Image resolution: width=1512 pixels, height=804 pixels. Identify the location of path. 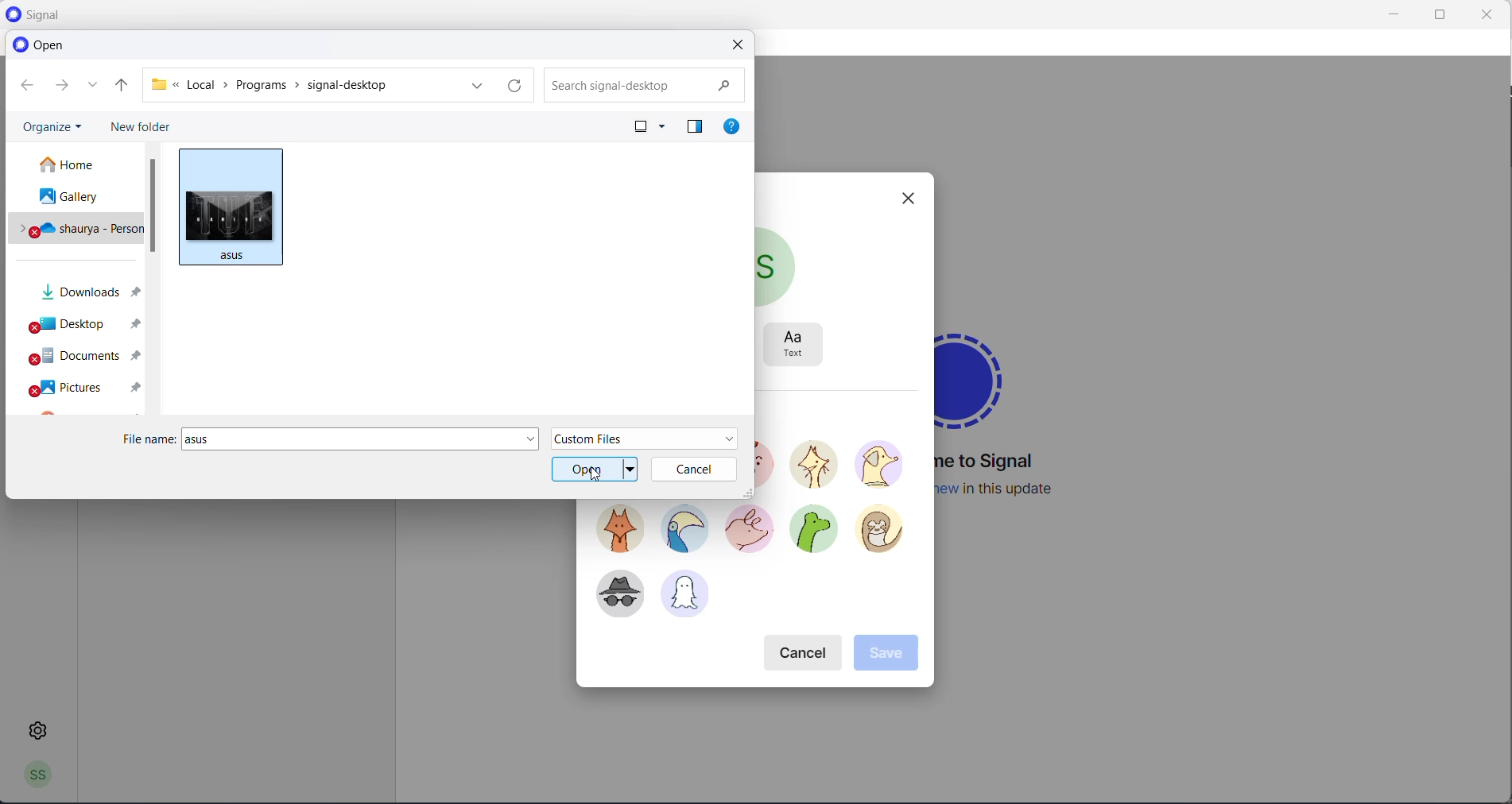
(297, 88).